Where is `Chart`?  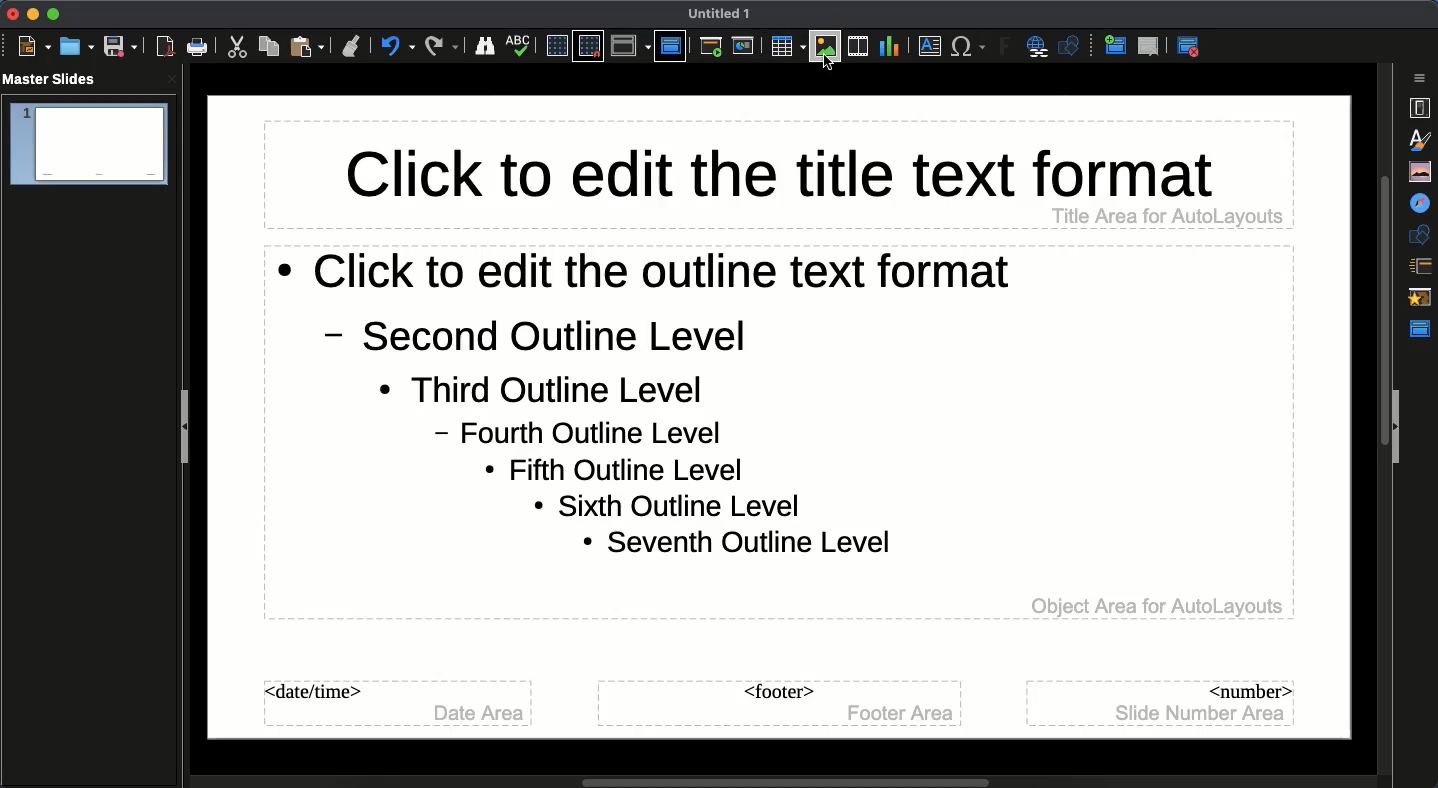 Chart is located at coordinates (889, 45).